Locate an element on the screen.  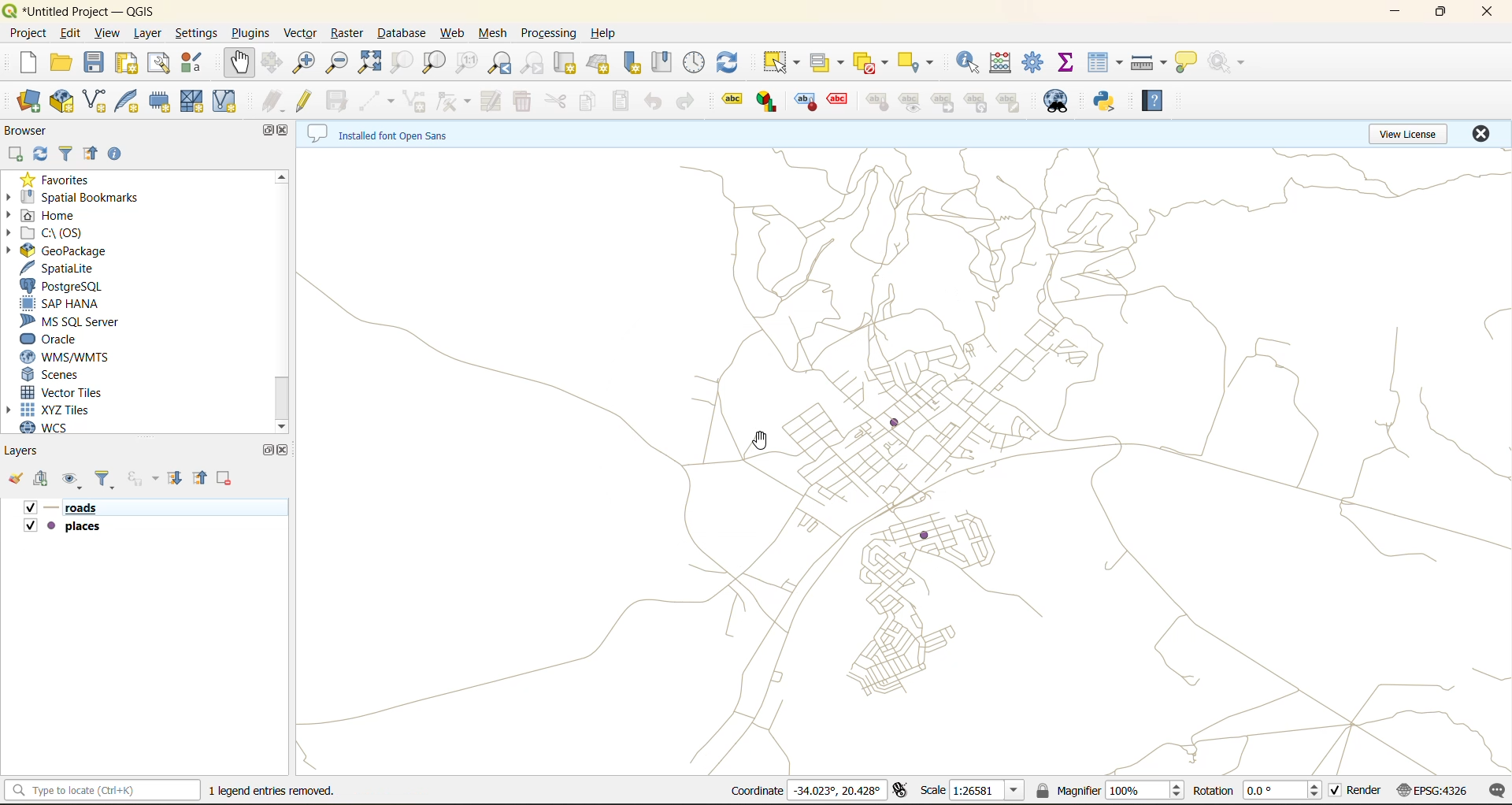
collapse all is located at coordinates (88, 155).